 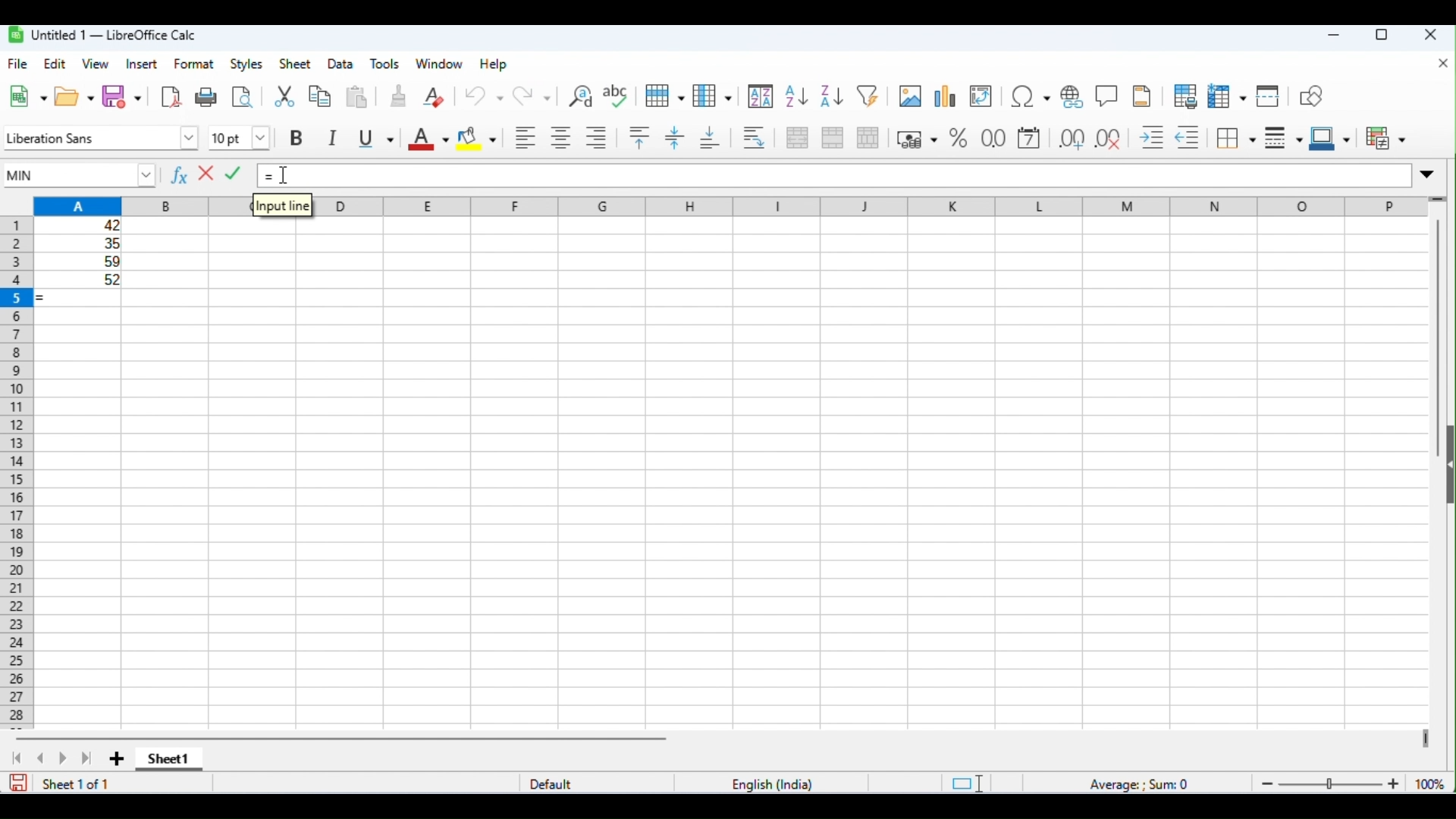 What do you see at coordinates (374, 138) in the screenshot?
I see `underline` at bounding box center [374, 138].